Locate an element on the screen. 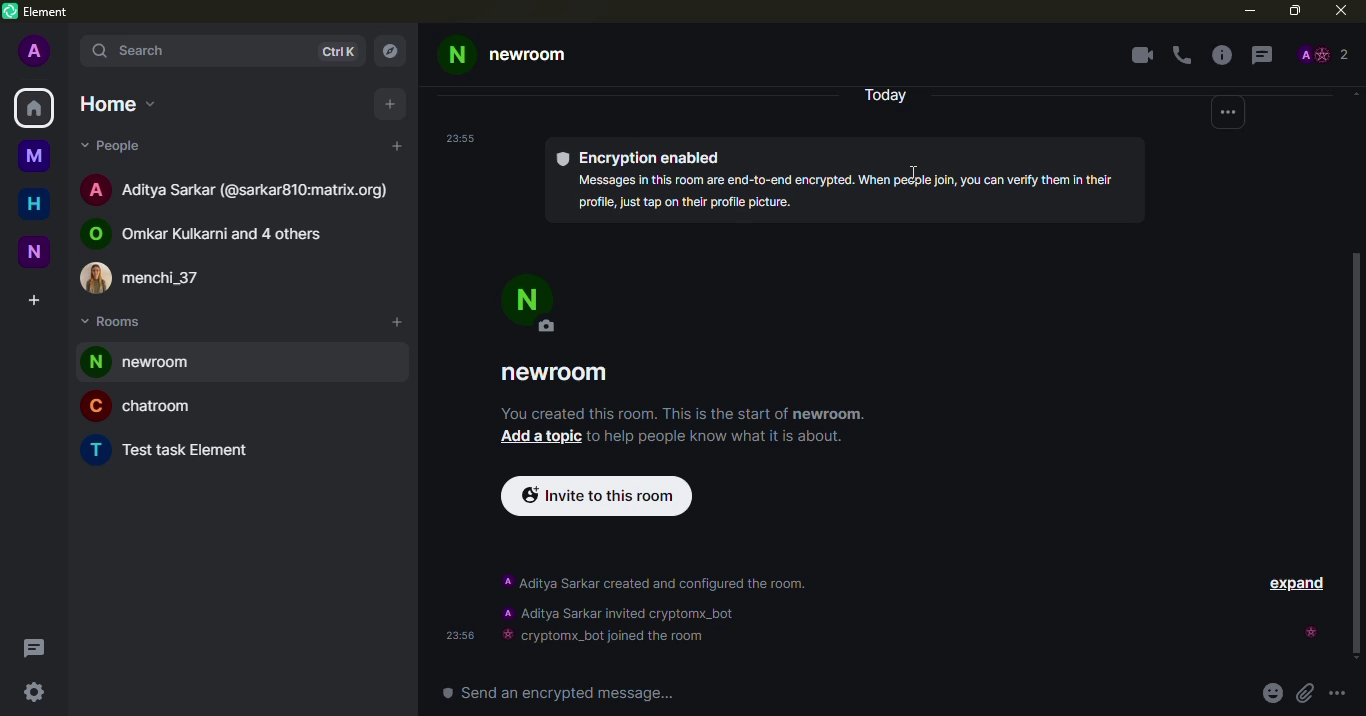 This screenshot has height=716, width=1366. more is located at coordinates (1342, 695).